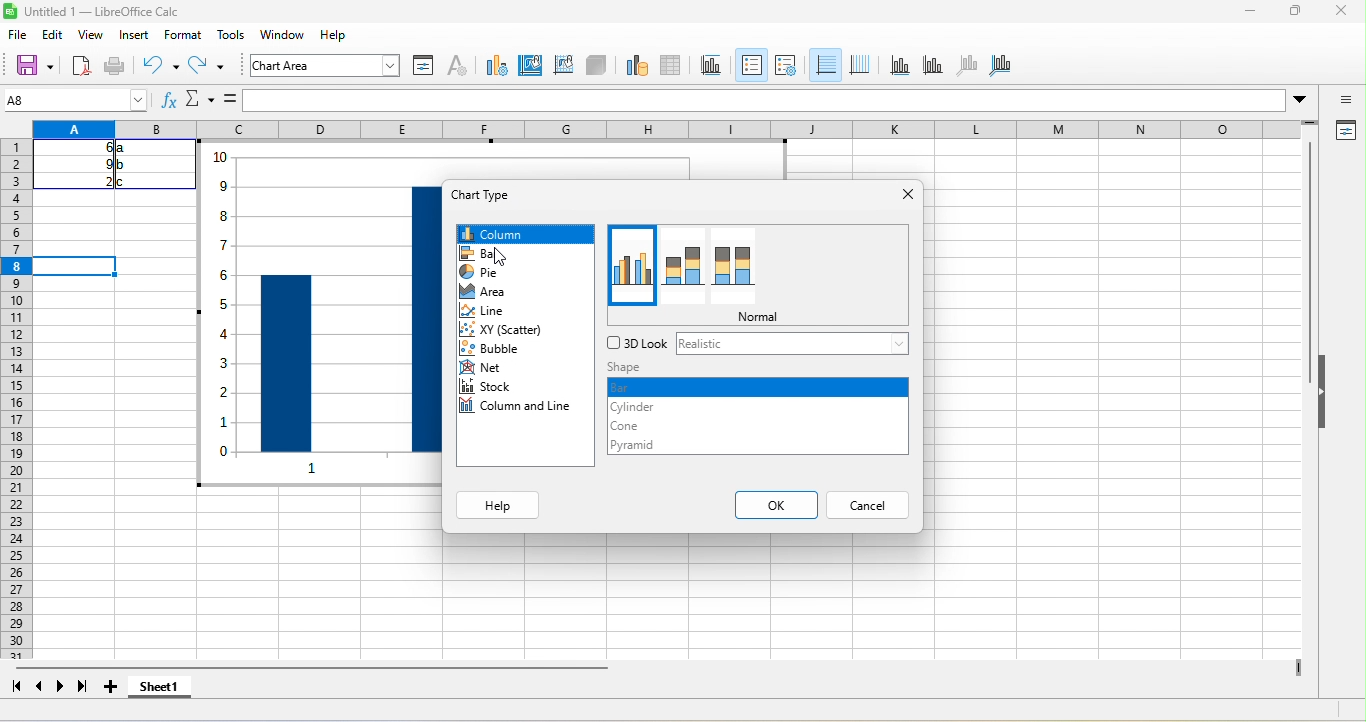  Describe the element at coordinates (304, 310) in the screenshot. I see `chart` at that location.